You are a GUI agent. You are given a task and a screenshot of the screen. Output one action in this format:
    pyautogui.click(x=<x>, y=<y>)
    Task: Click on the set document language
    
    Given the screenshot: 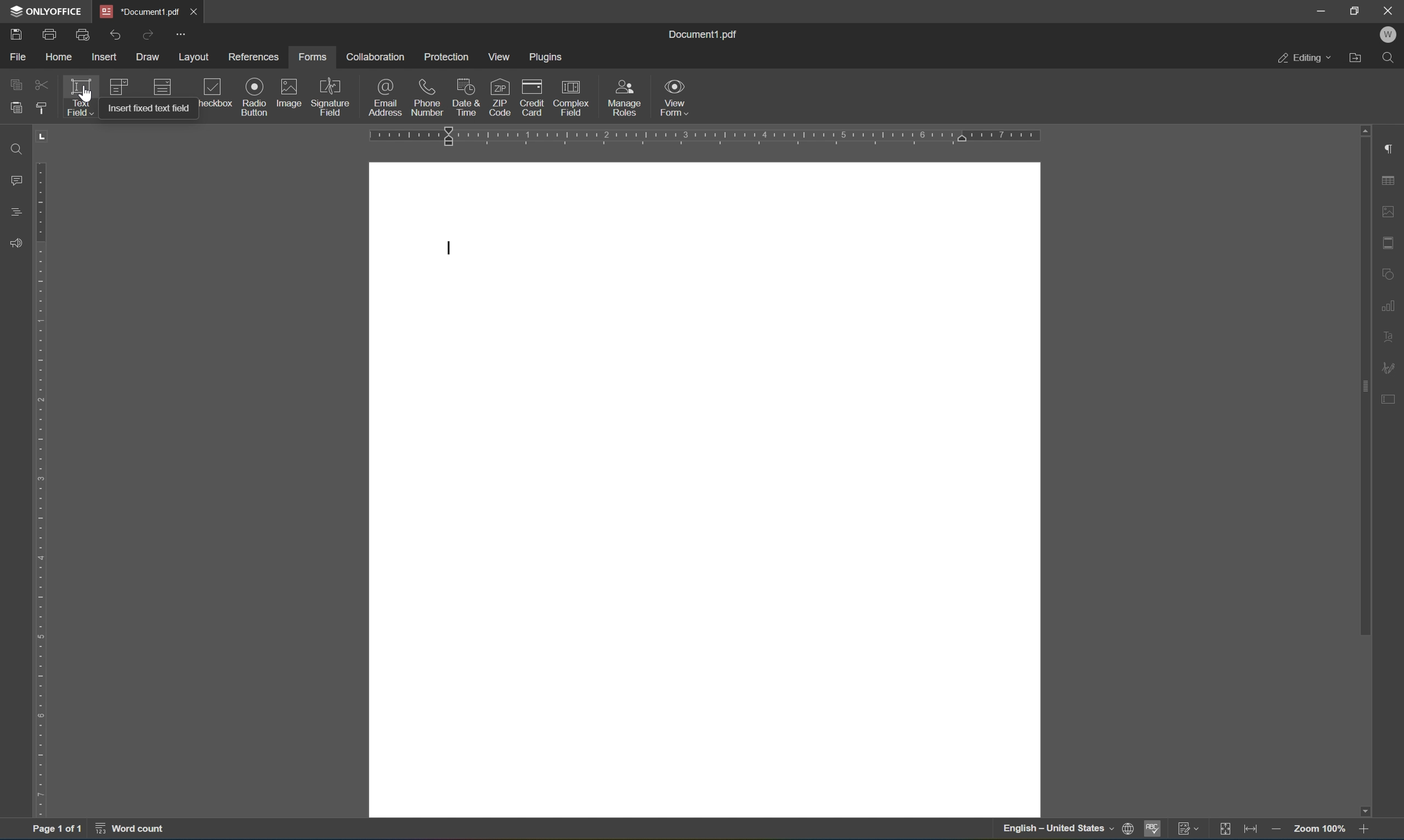 What is the action you would take?
    pyautogui.click(x=1132, y=830)
    